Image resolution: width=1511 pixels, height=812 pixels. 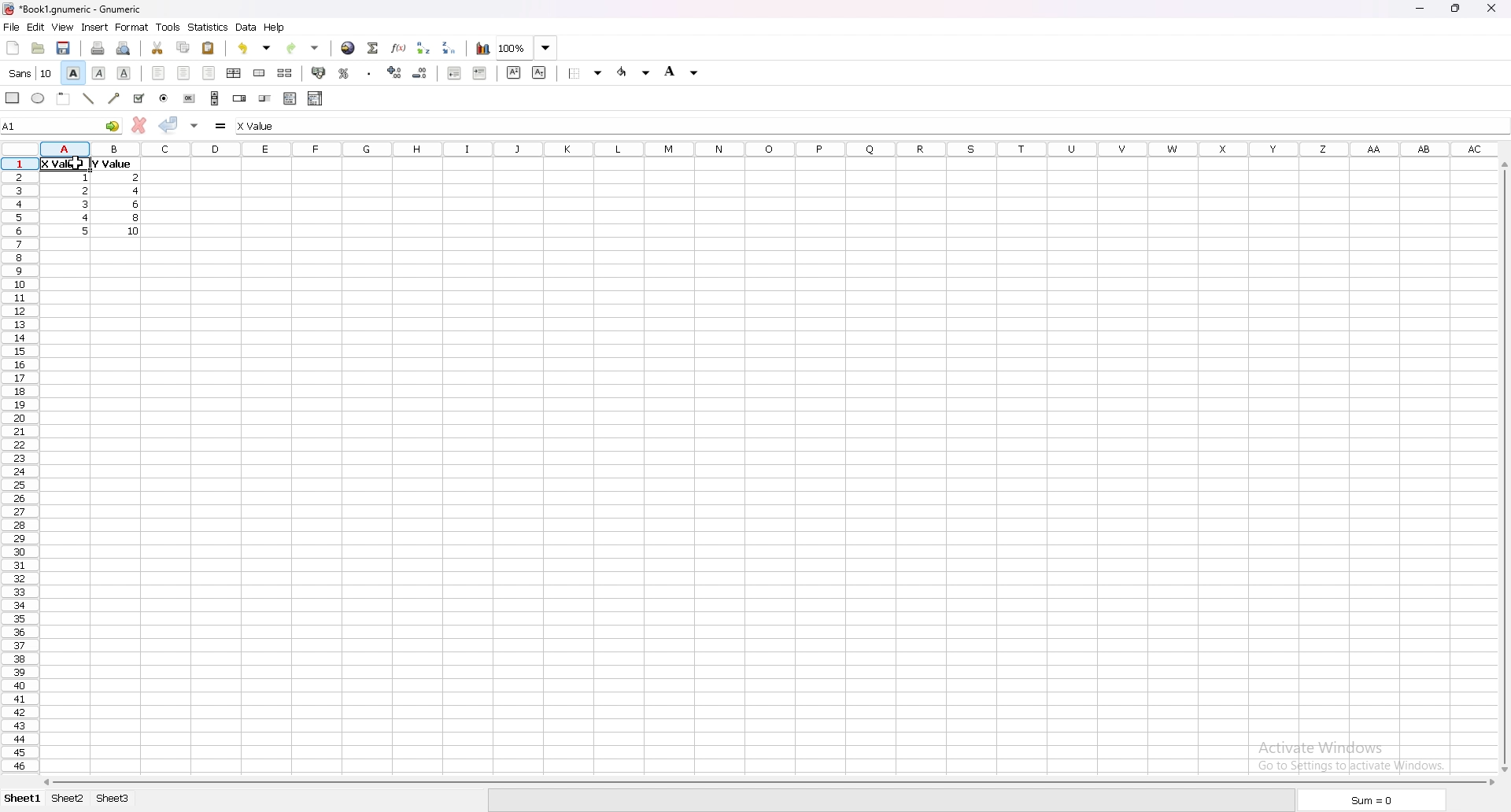 What do you see at coordinates (480, 72) in the screenshot?
I see `increase indent` at bounding box center [480, 72].